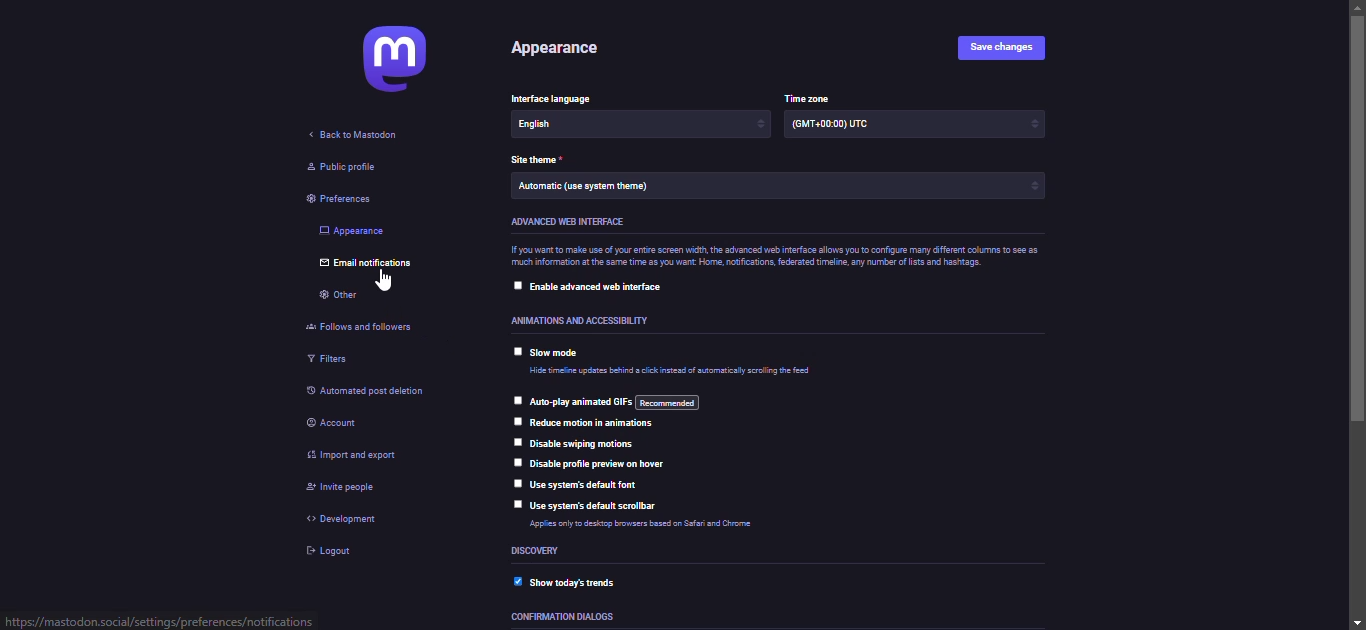 The width and height of the screenshot is (1366, 630). I want to click on theme, so click(540, 160).